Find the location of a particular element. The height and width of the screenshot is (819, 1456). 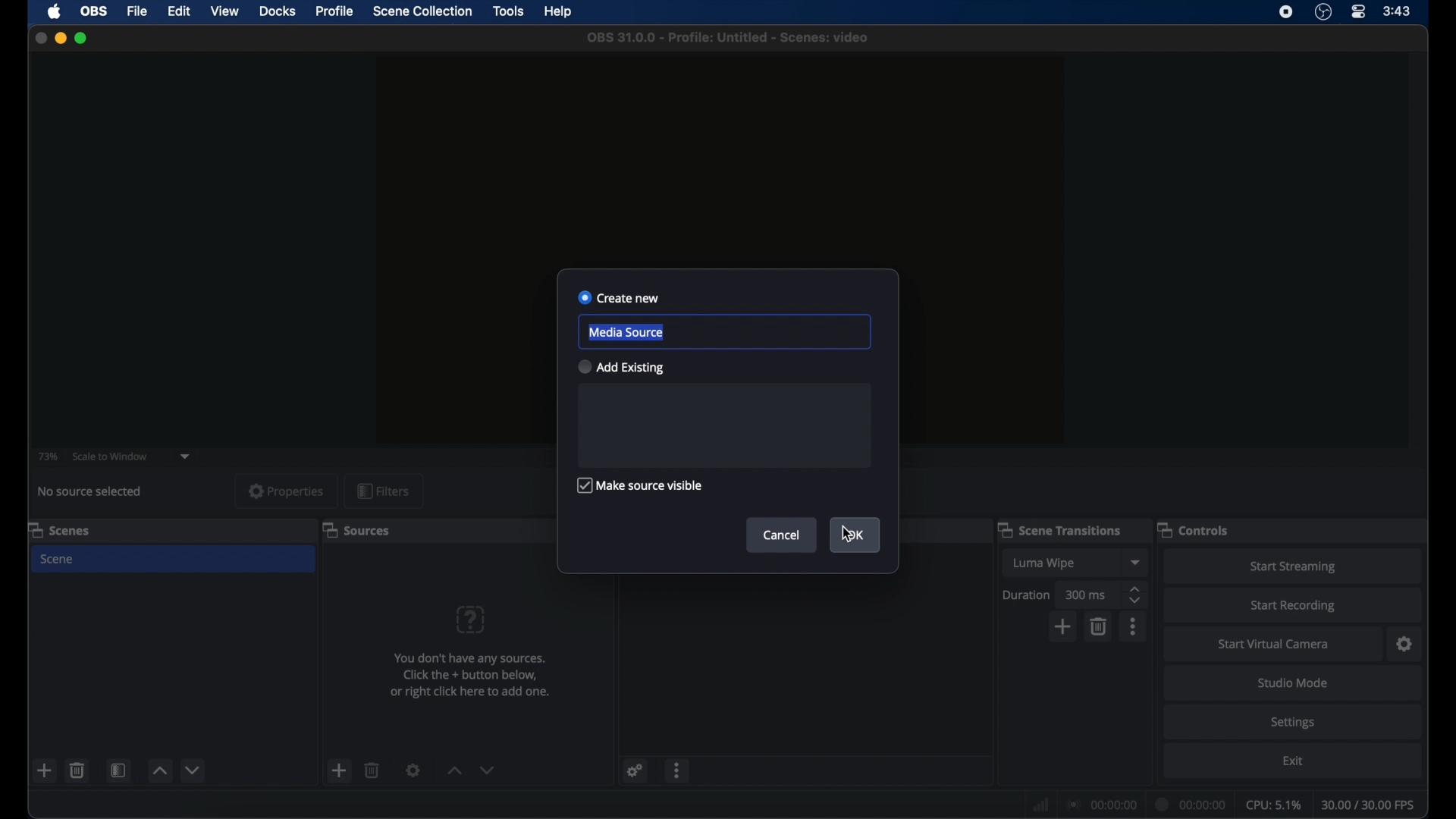

dropdown is located at coordinates (185, 457).